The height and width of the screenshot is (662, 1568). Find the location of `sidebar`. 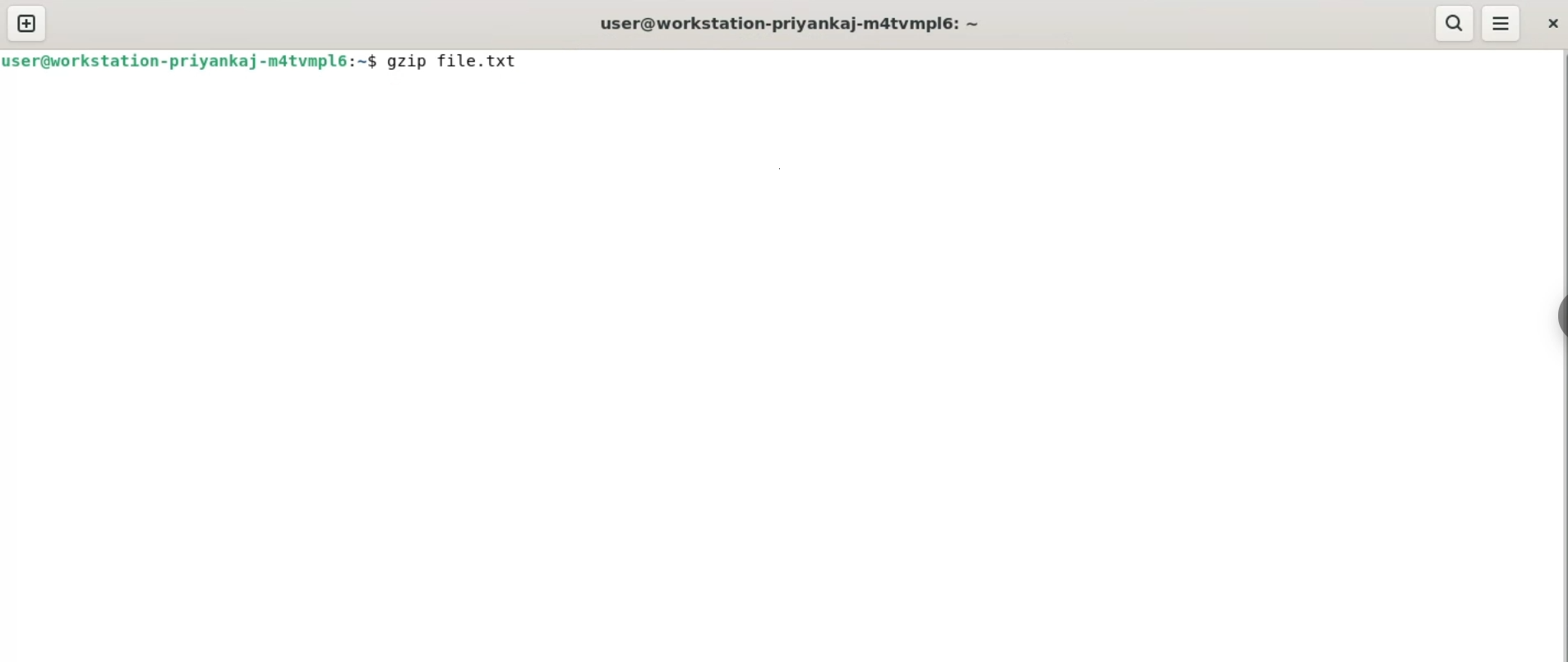

sidebar is located at coordinates (1560, 313).